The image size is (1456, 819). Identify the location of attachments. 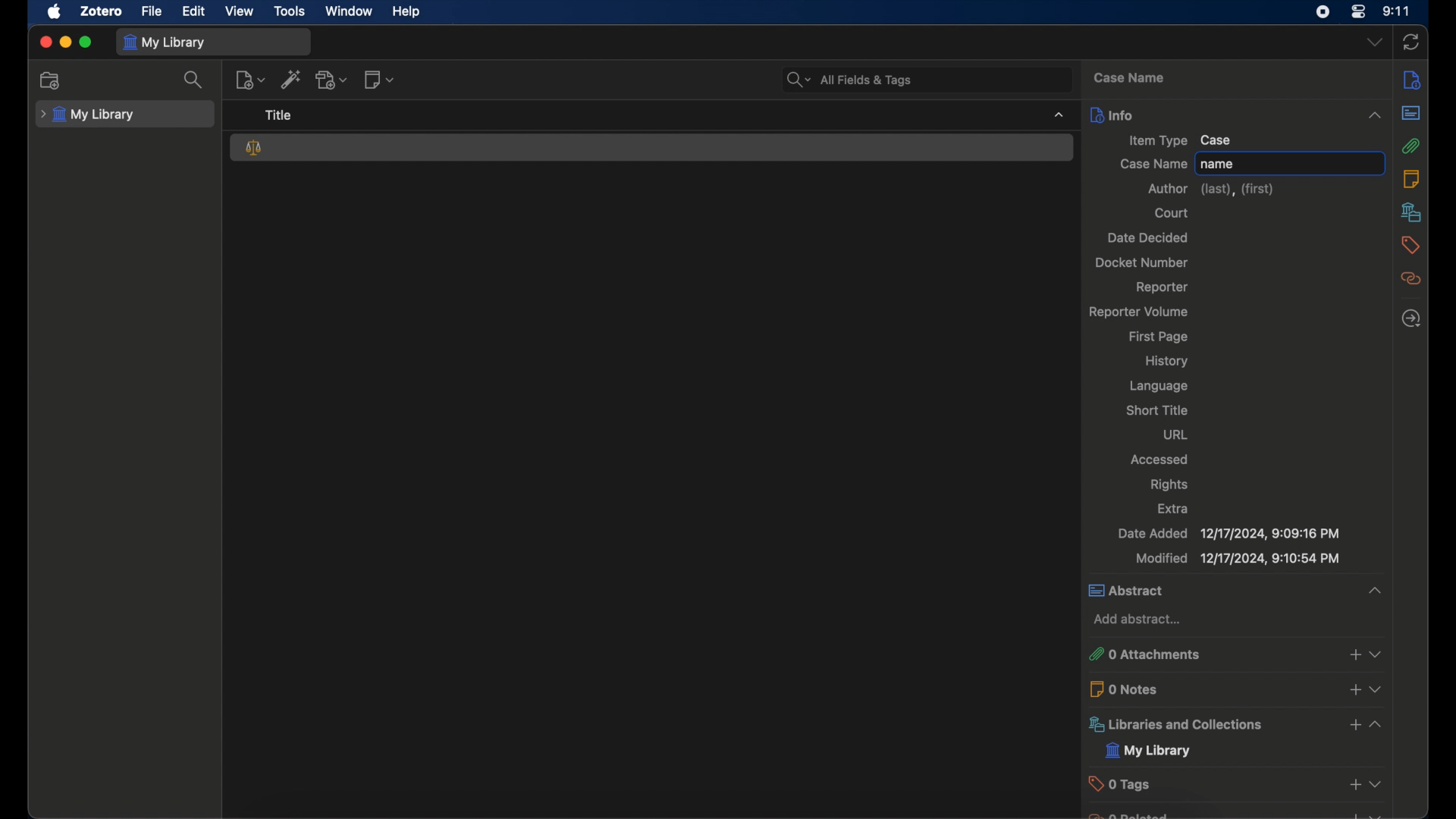
(1410, 146).